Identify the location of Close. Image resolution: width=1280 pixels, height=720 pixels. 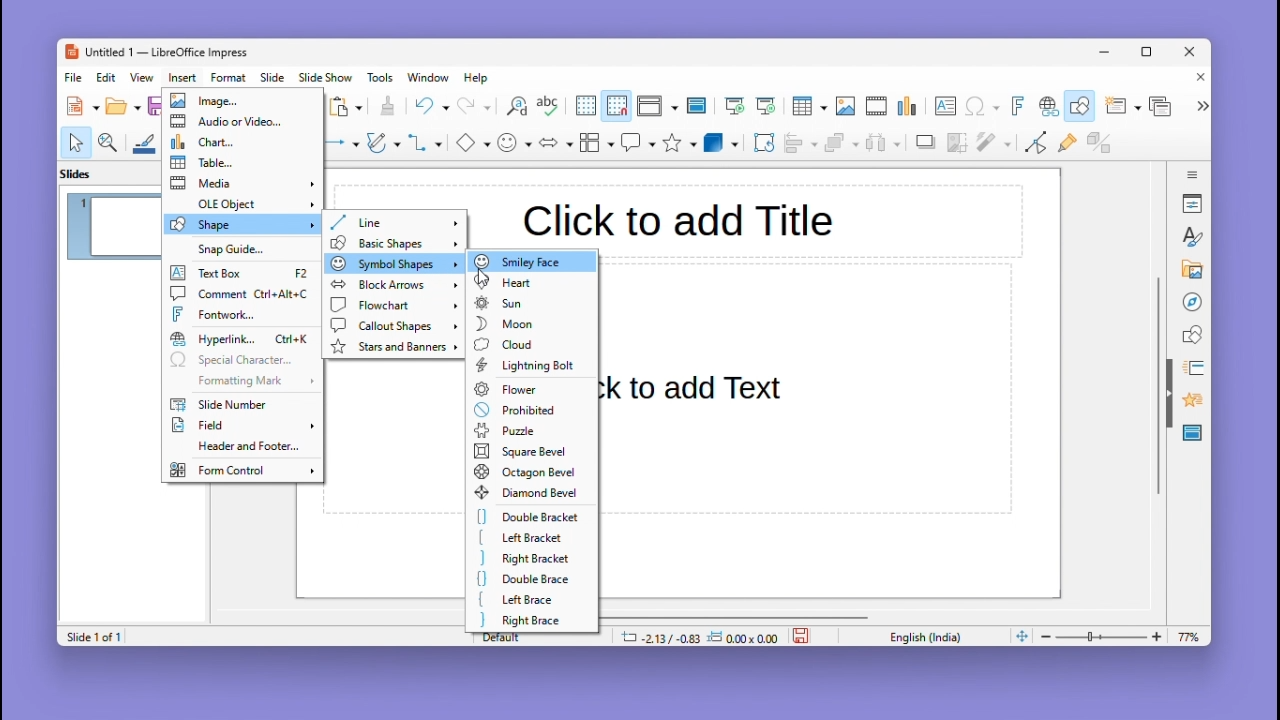
(1191, 53).